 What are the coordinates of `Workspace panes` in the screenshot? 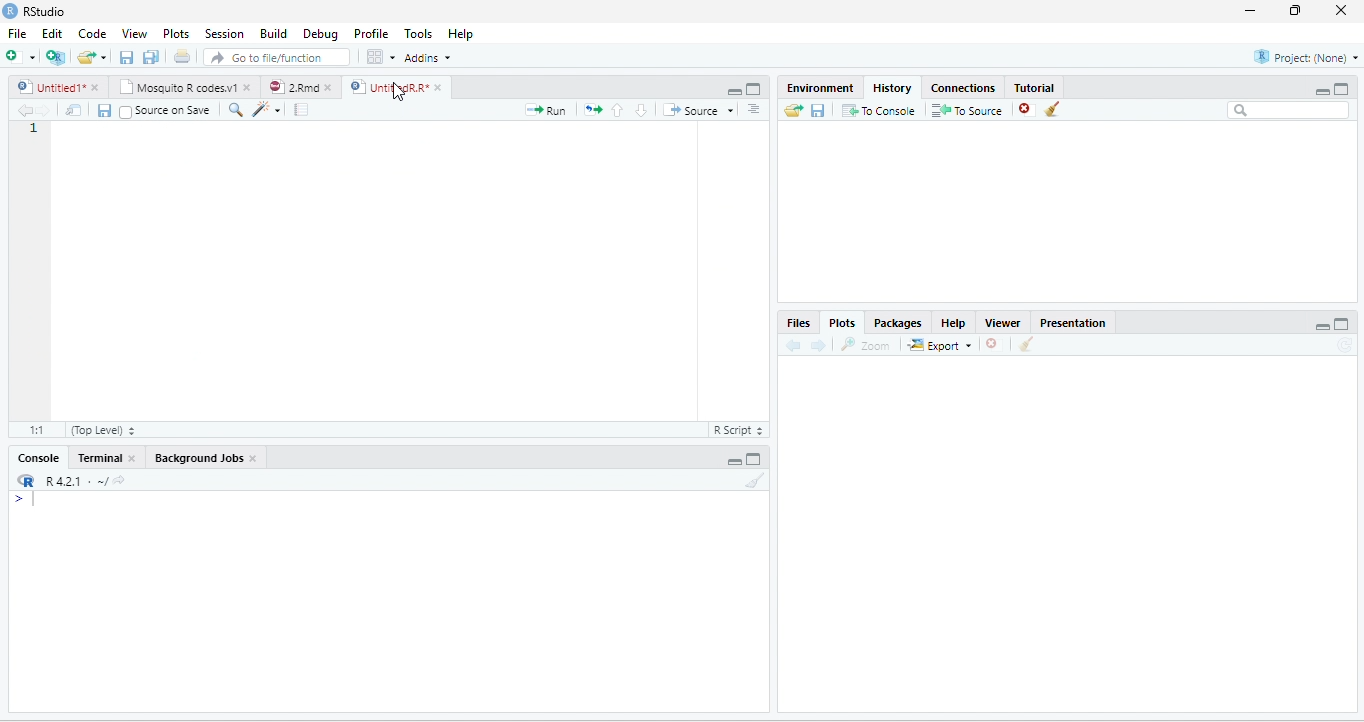 It's located at (379, 56).